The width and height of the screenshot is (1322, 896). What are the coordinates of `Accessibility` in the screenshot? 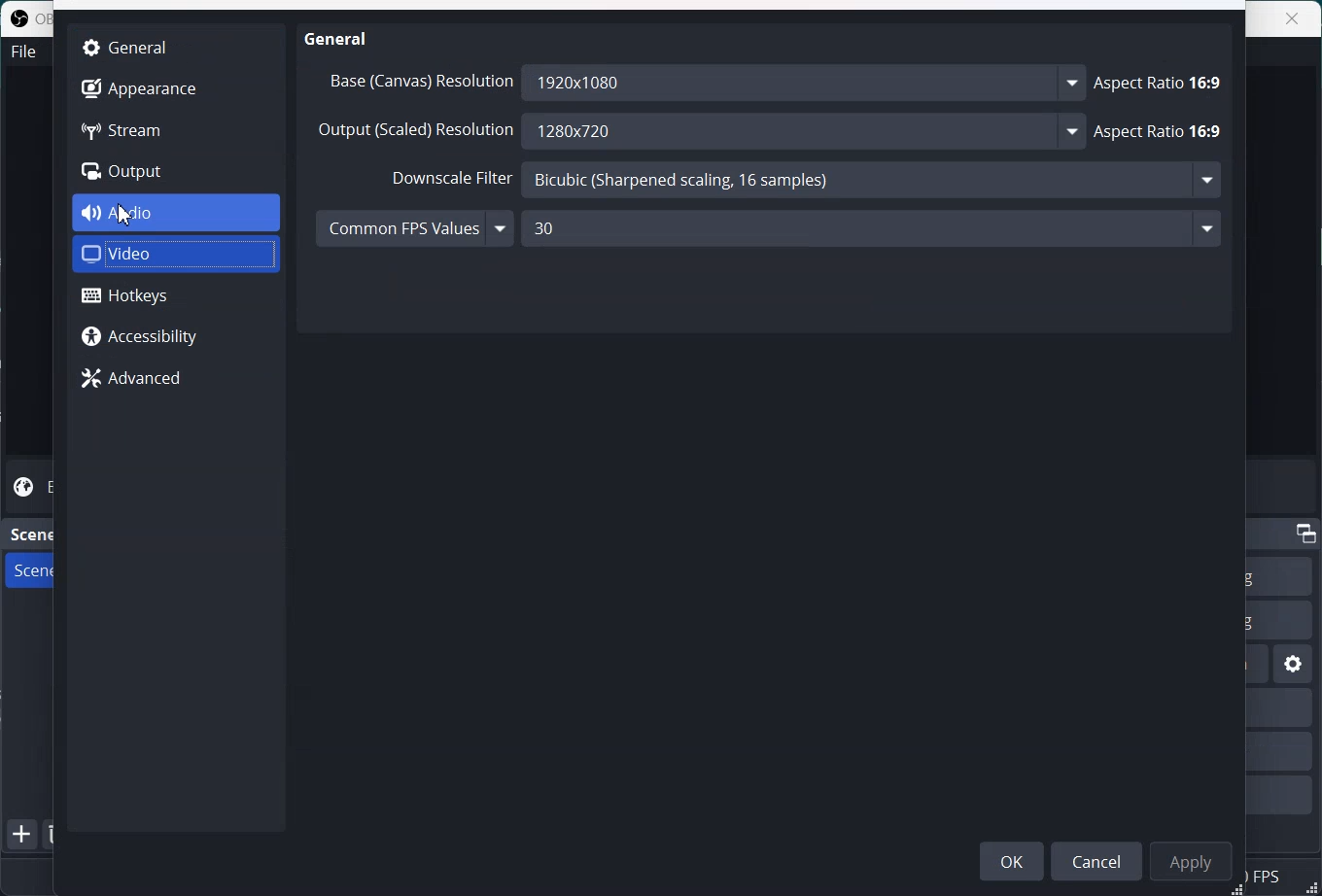 It's located at (175, 334).